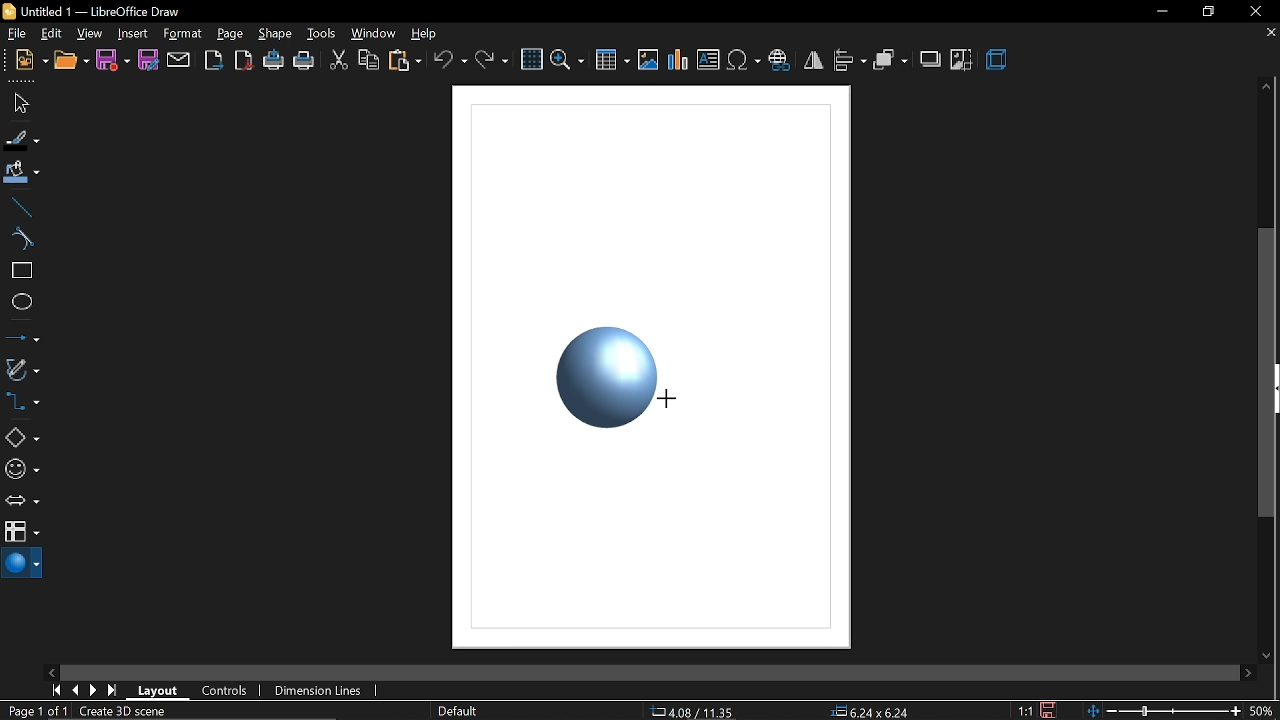 Image resolution: width=1280 pixels, height=720 pixels. I want to click on save as, so click(149, 62).